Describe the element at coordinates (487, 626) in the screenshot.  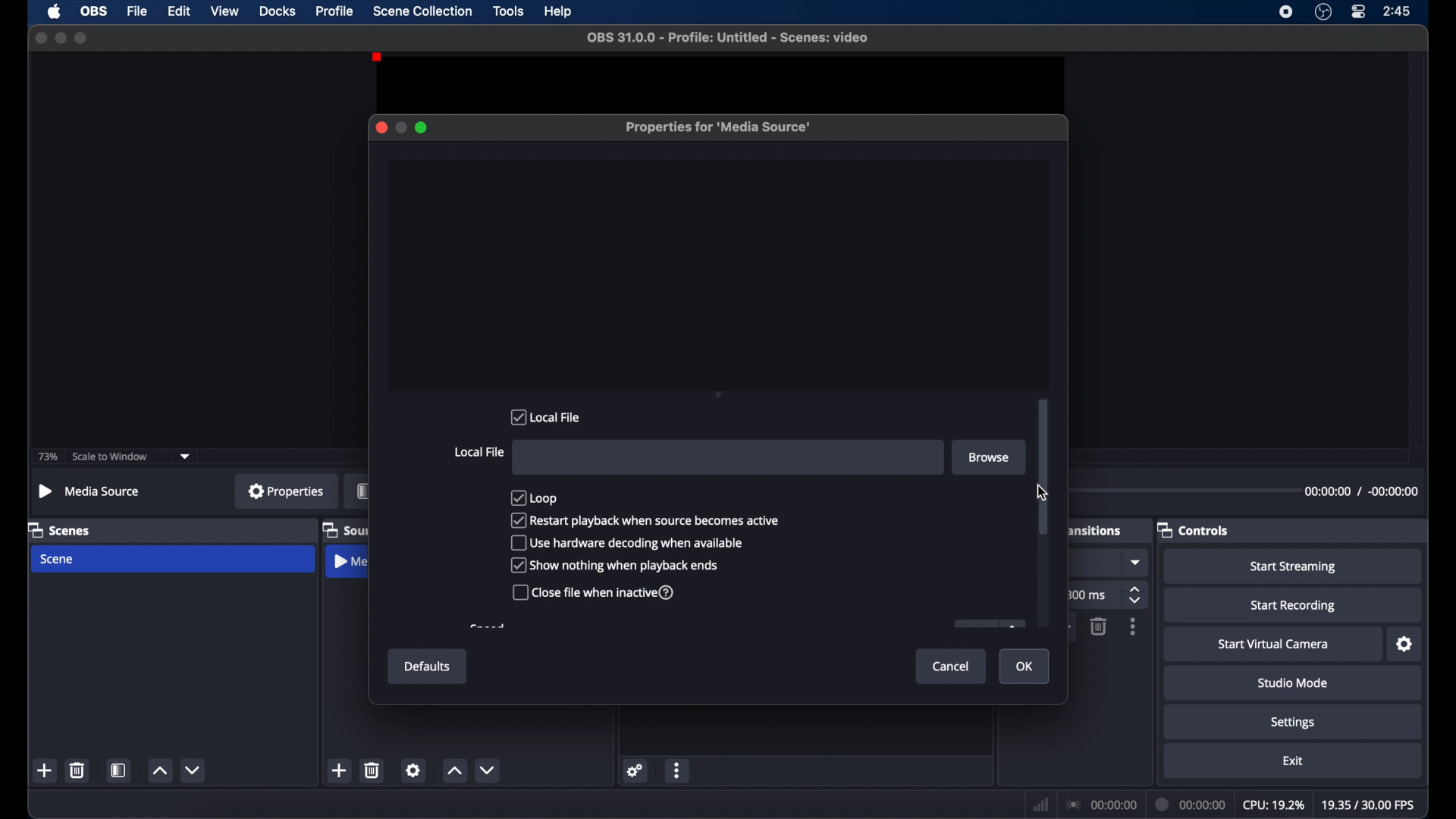
I see `obscured text` at that location.